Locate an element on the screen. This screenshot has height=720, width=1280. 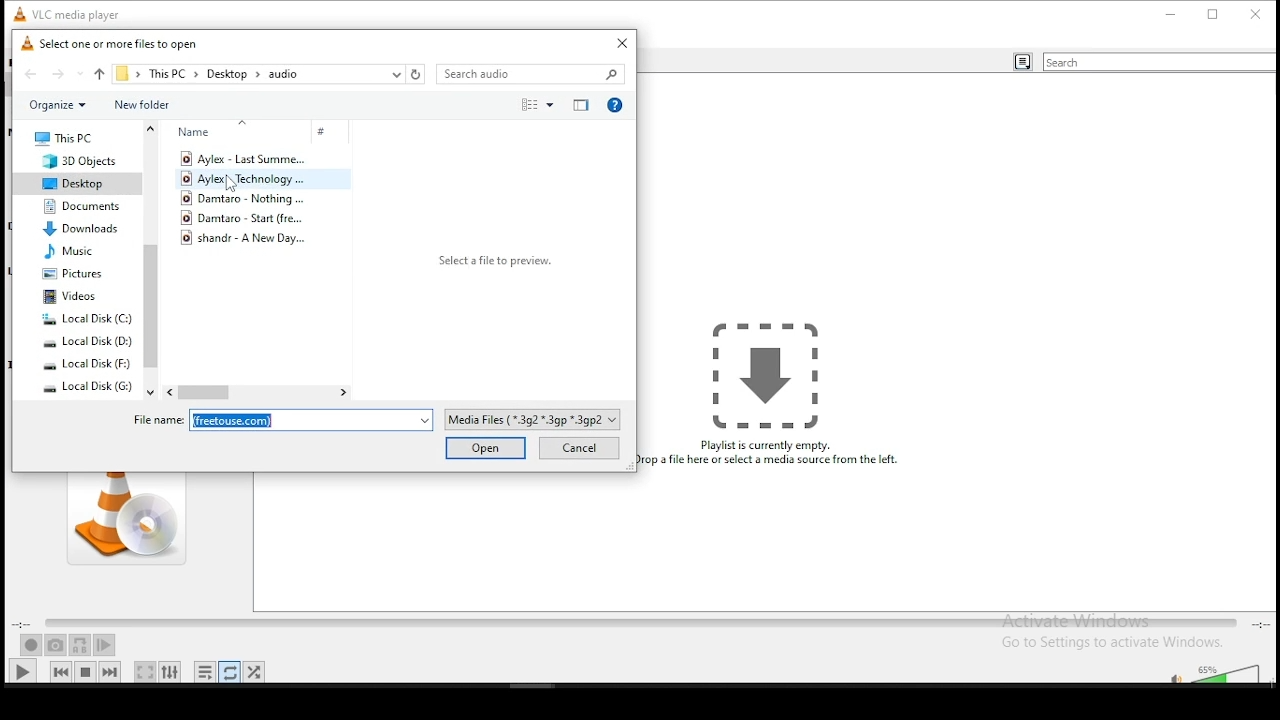
local disk (F:) is located at coordinates (86, 364).